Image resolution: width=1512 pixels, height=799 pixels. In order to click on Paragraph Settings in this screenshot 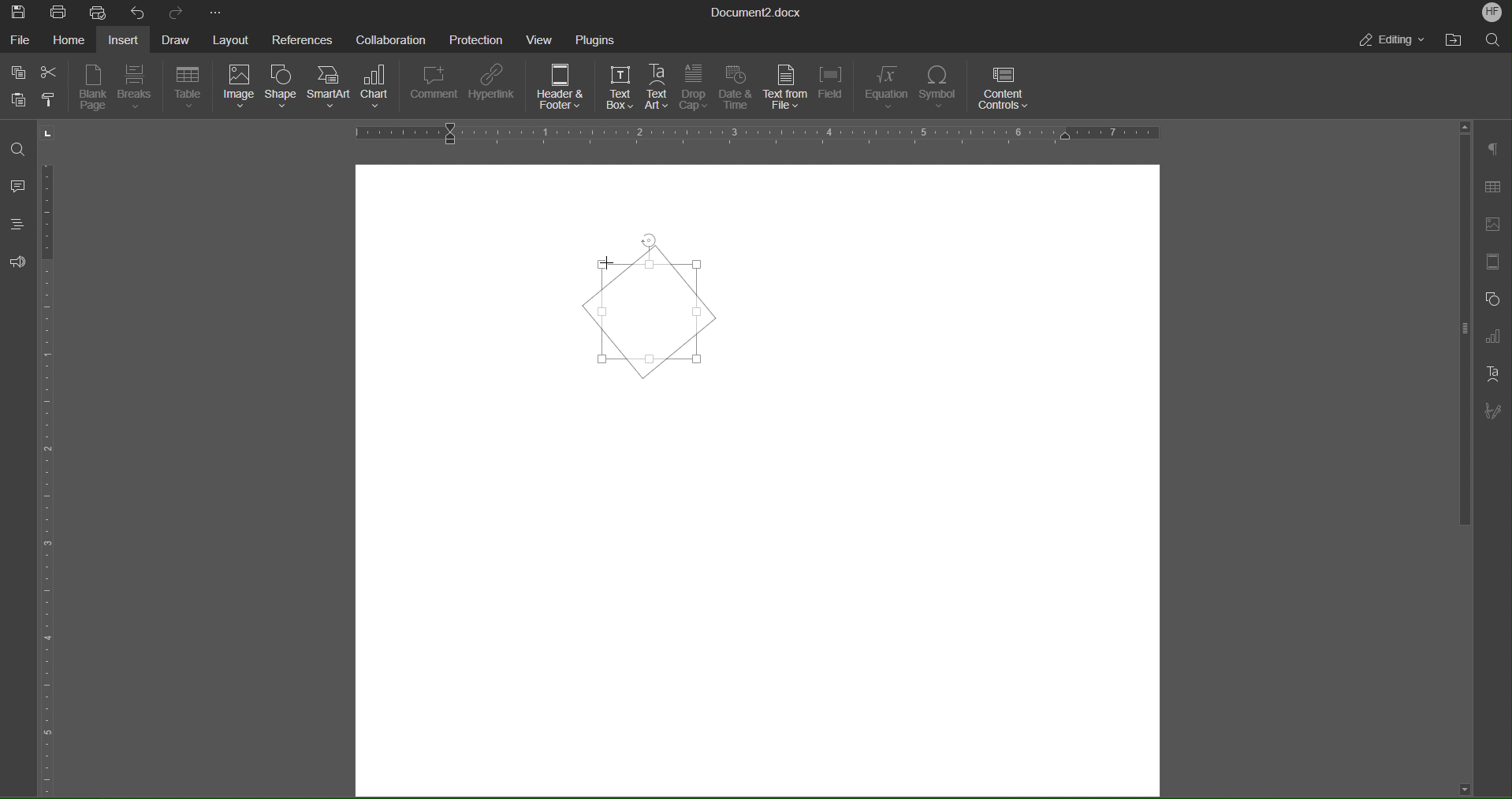, I will do `click(1493, 150)`.